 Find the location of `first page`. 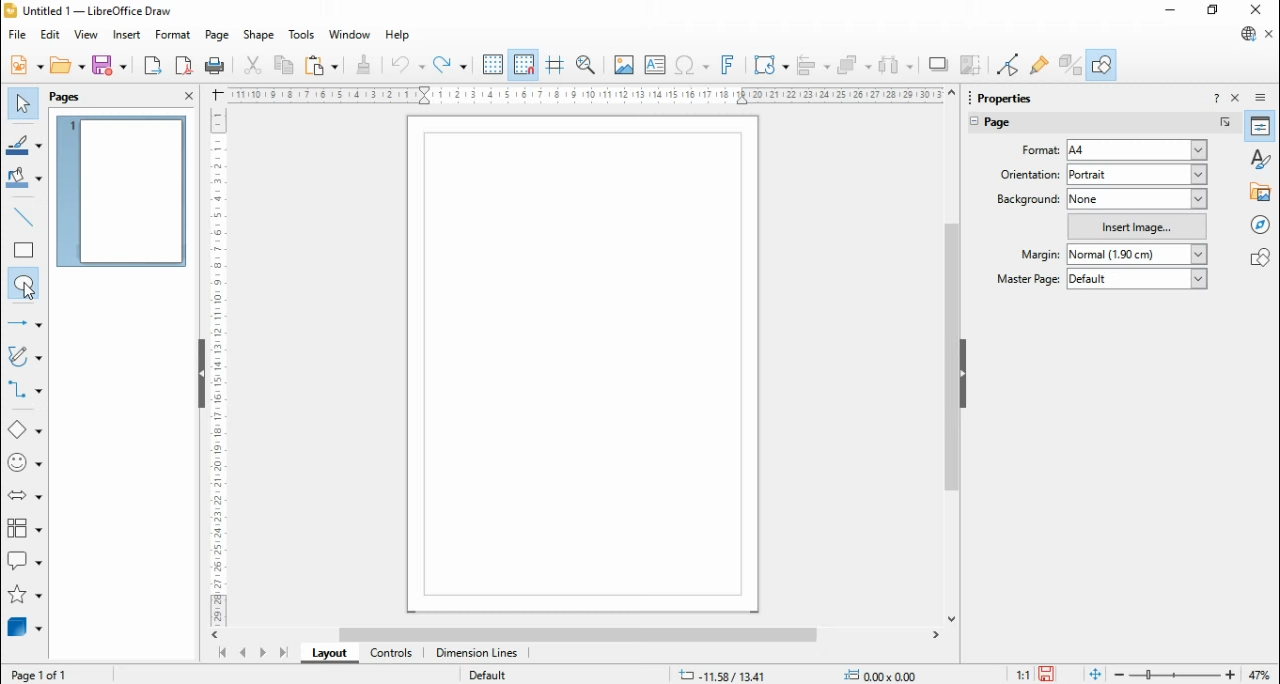

first page is located at coordinates (221, 654).